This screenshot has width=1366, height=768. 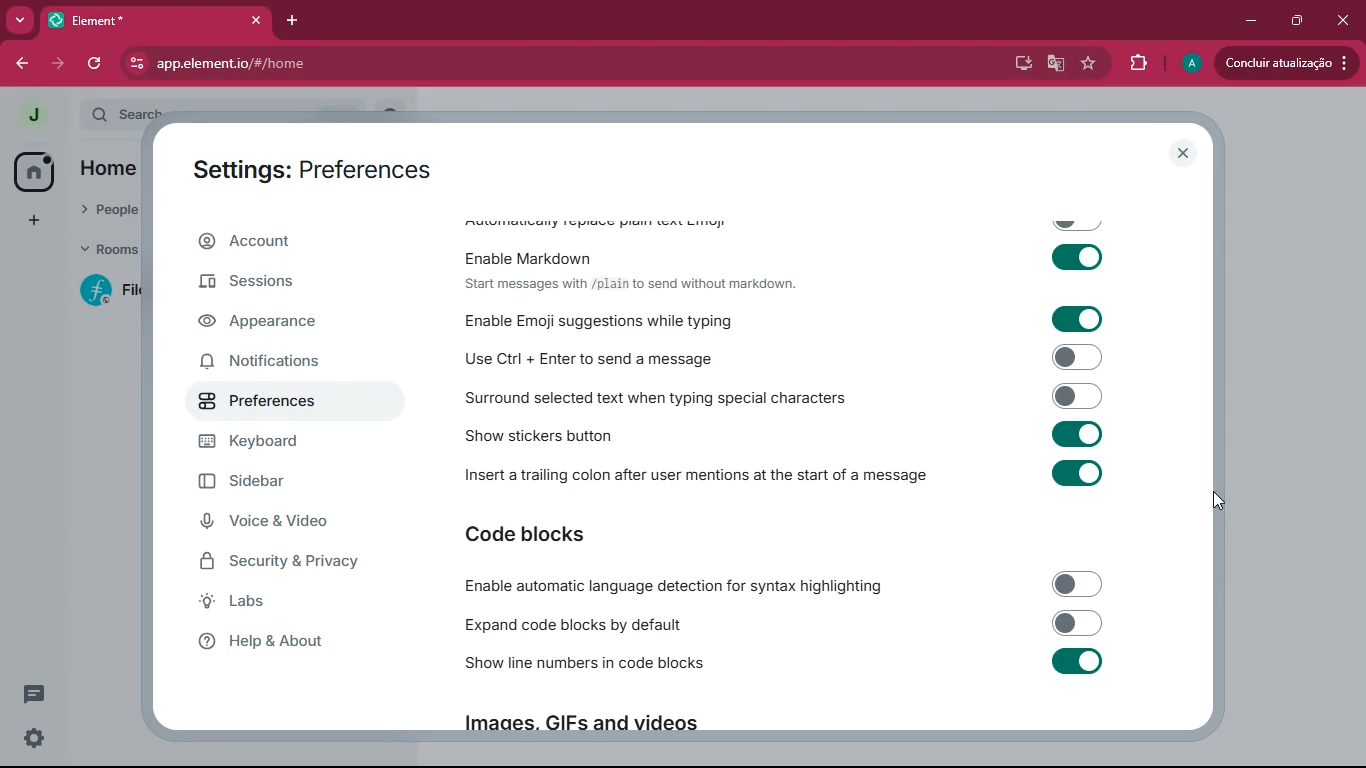 What do you see at coordinates (788, 253) in the screenshot?
I see `Enable Markdown` at bounding box center [788, 253].